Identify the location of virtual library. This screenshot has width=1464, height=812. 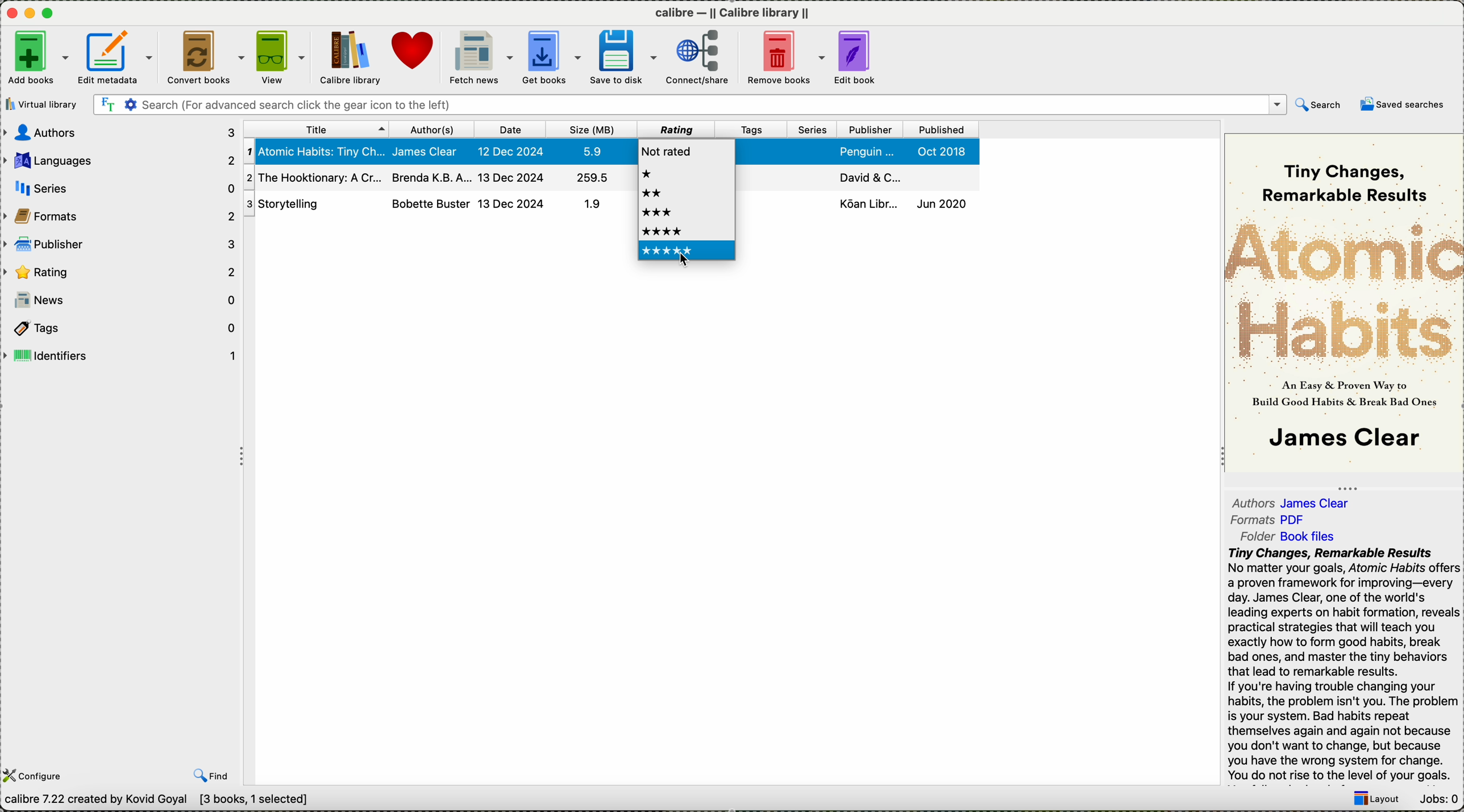
(45, 104).